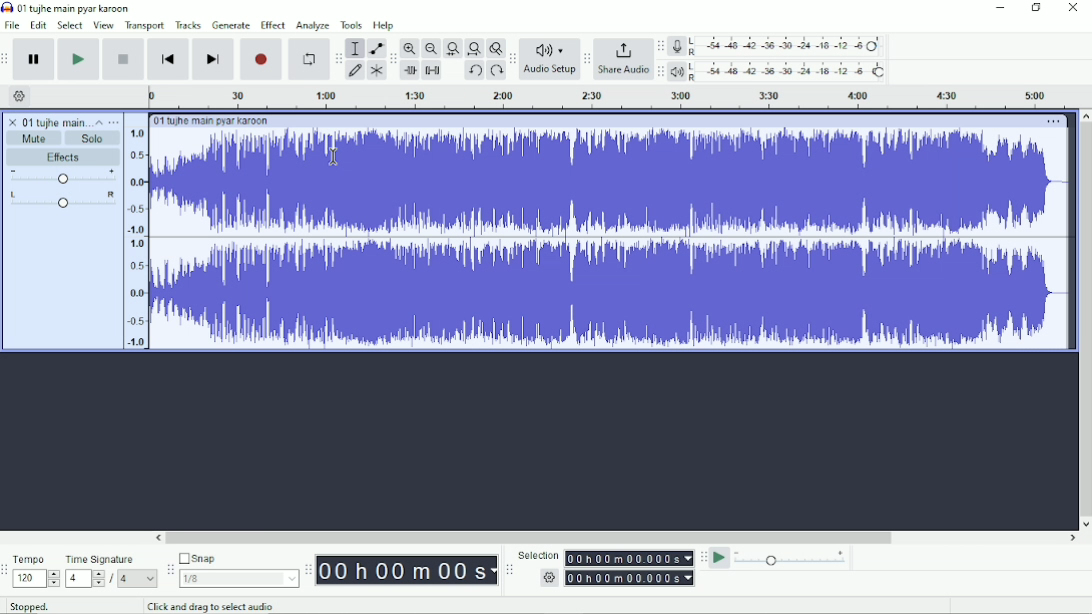 This screenshot has height=614, width=1092. I want to click on Collpase, so click(99, 121).